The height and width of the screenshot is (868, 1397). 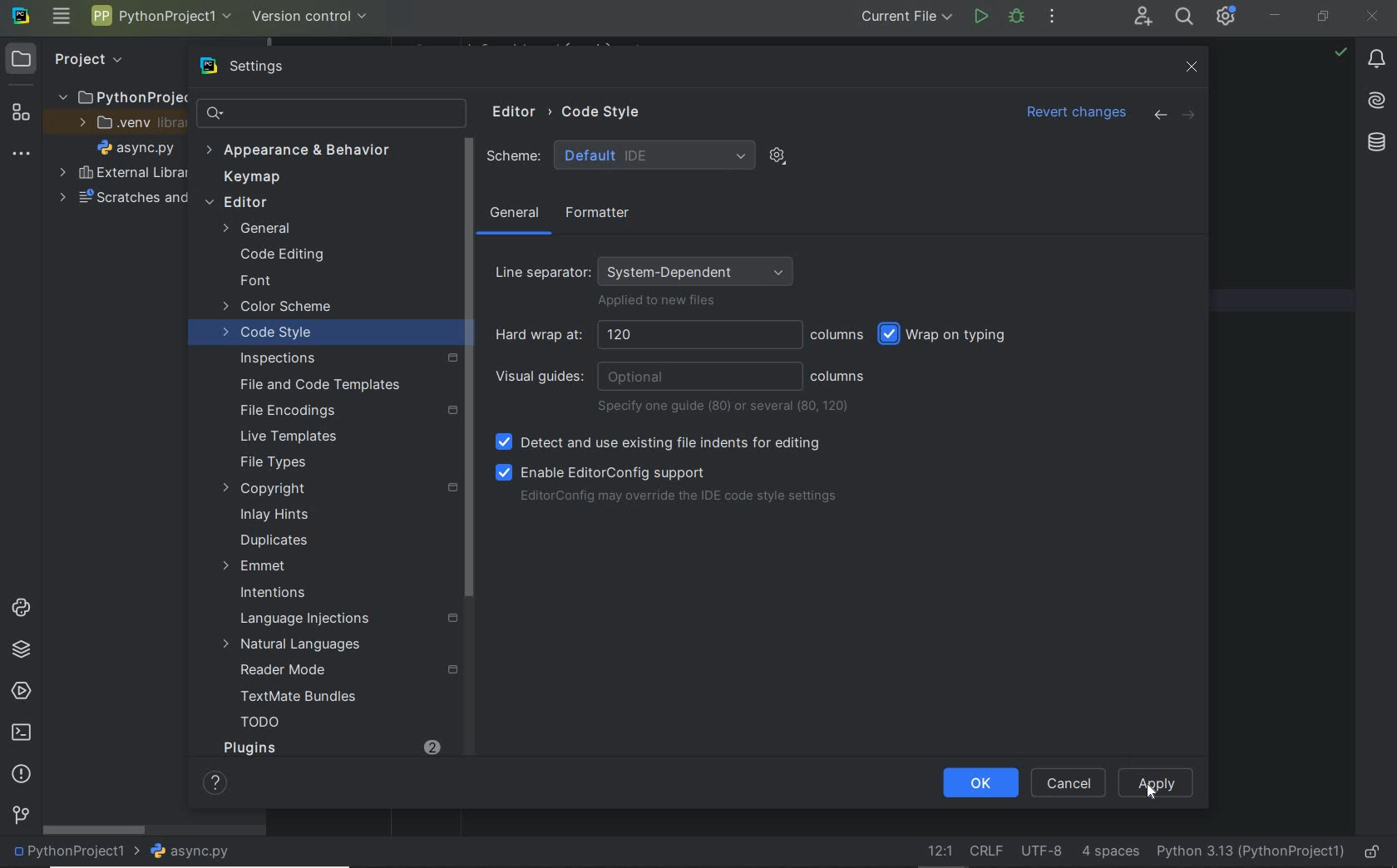 I want to click on Language Injections, so click(x=351, y=619).